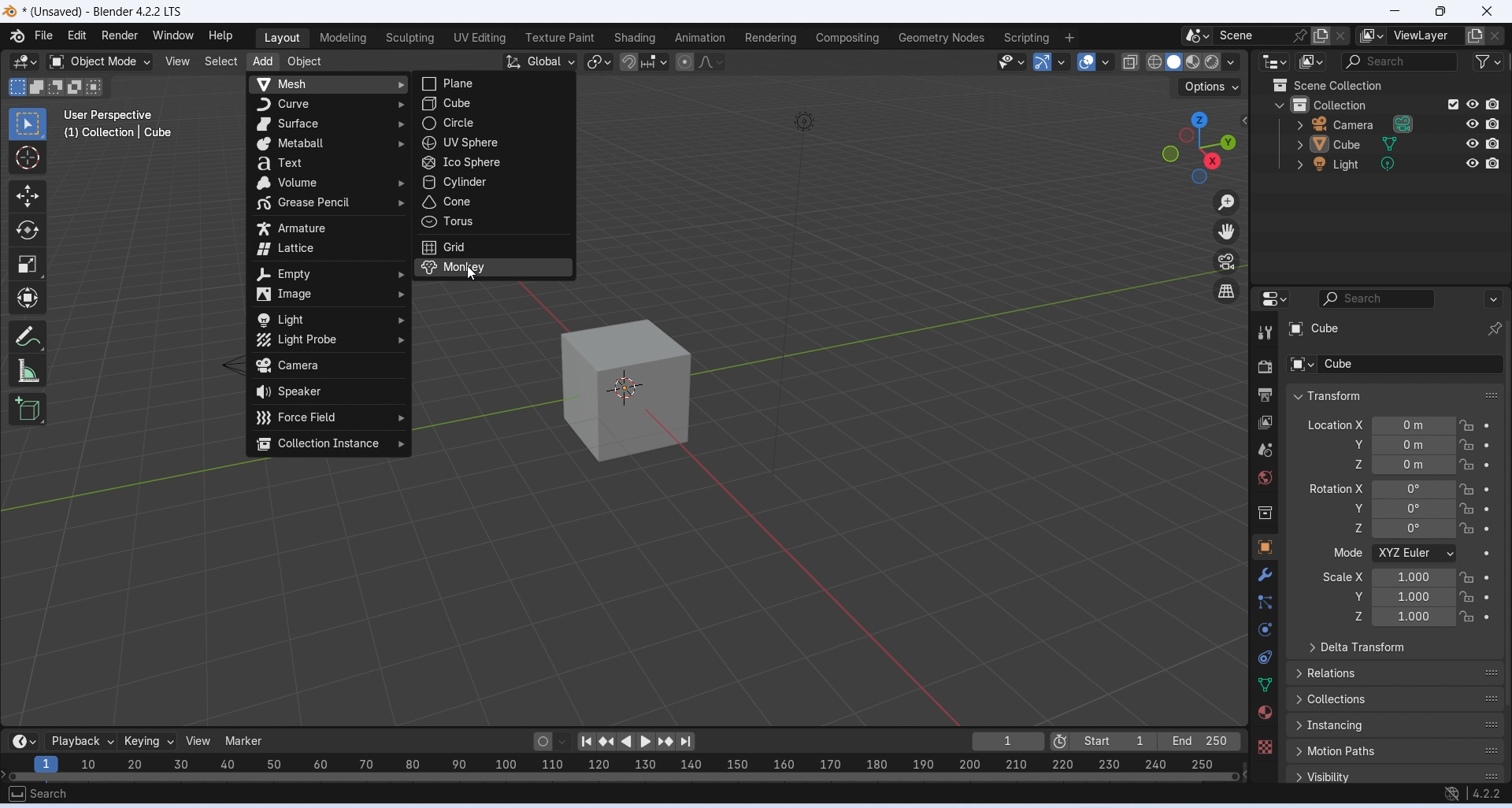 The height and width of the screenshot is (808, 1512). What do you see at coordinates (1354, 444) in the screenshot?
I see `y` at bounding box center [1354, 444].